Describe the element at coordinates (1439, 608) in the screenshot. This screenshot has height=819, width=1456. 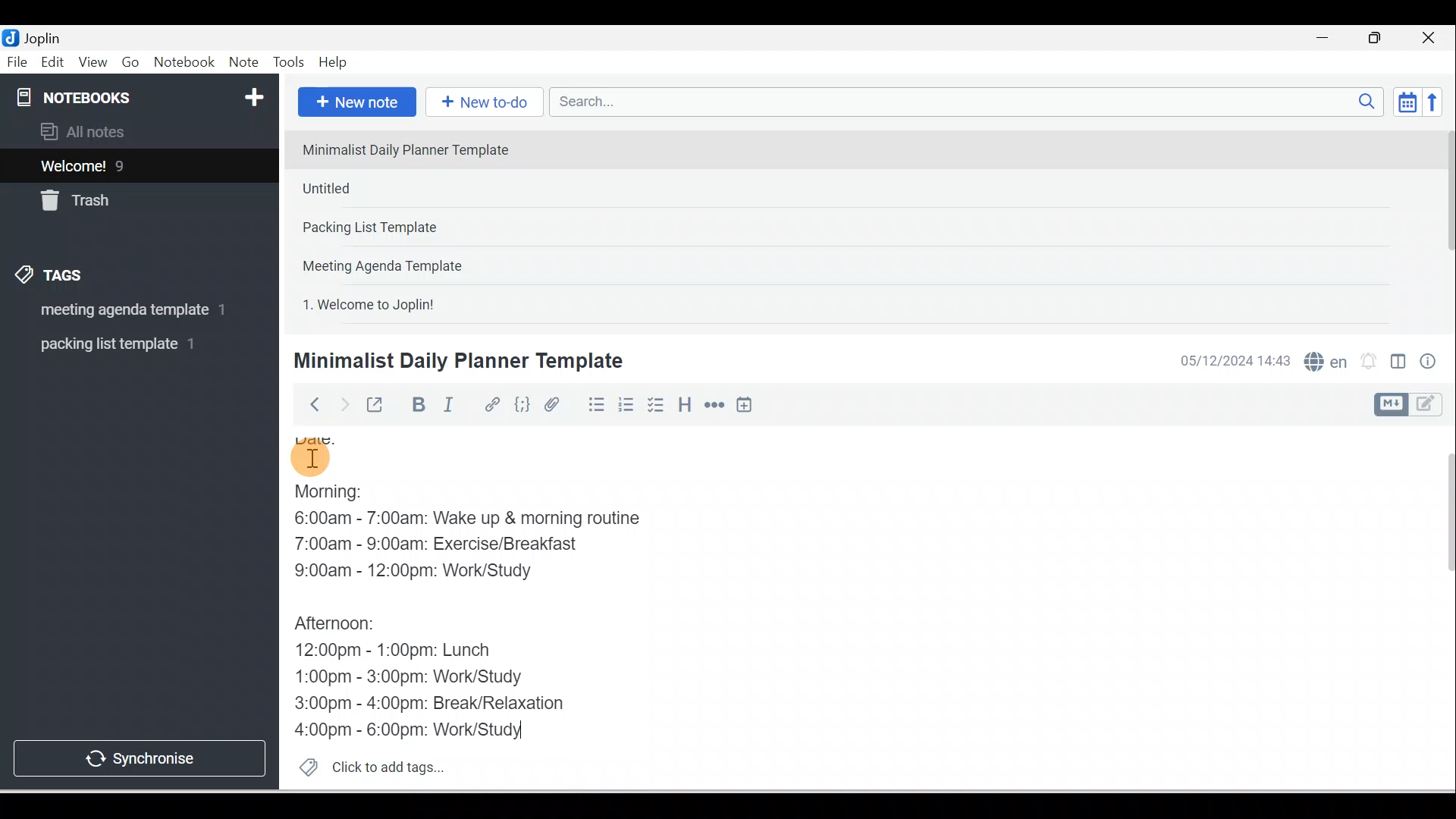
I see `Scroll bar` at that location.